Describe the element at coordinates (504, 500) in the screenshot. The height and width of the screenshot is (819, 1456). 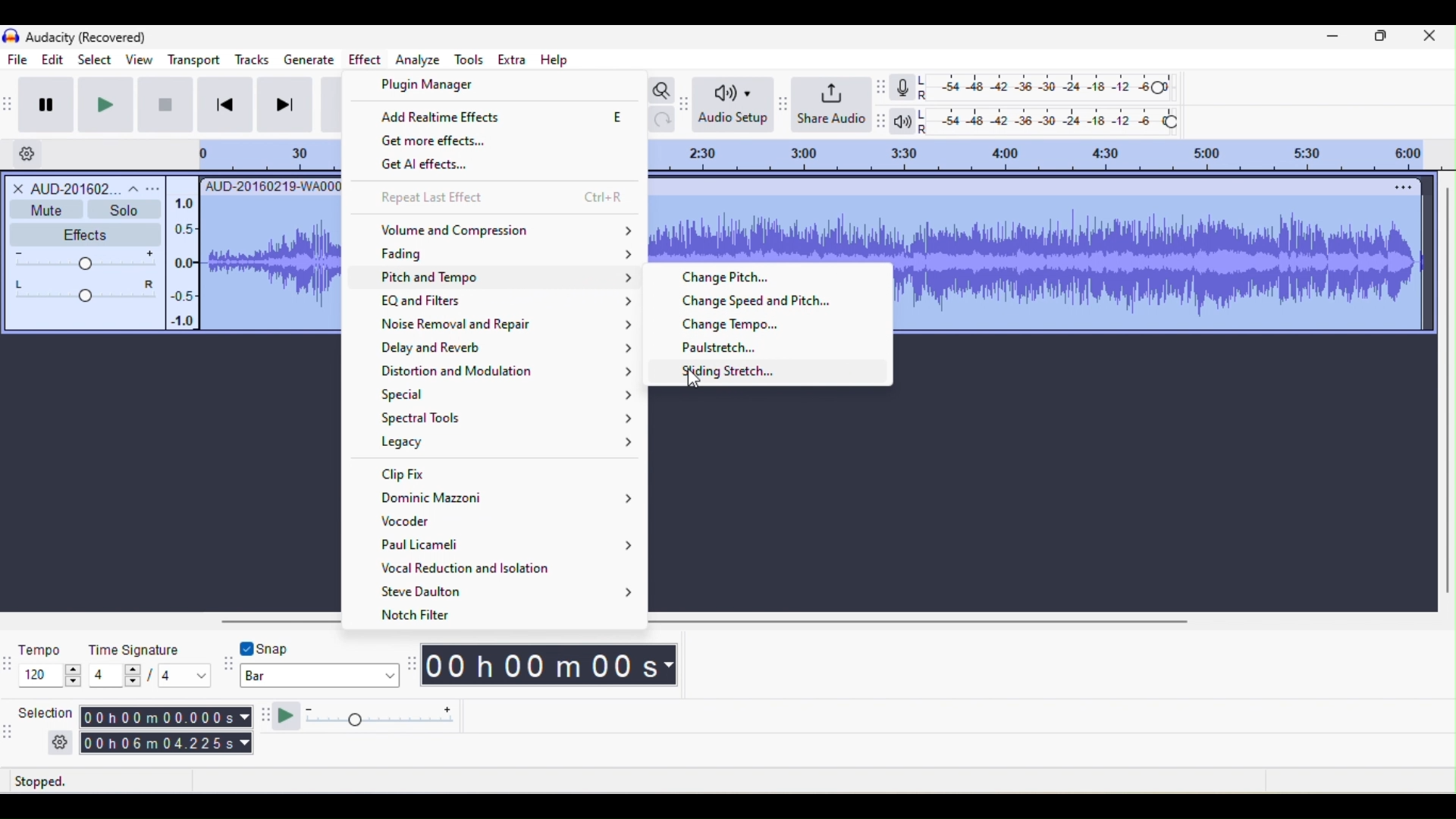
I see `dominic mazzoni` at that location.